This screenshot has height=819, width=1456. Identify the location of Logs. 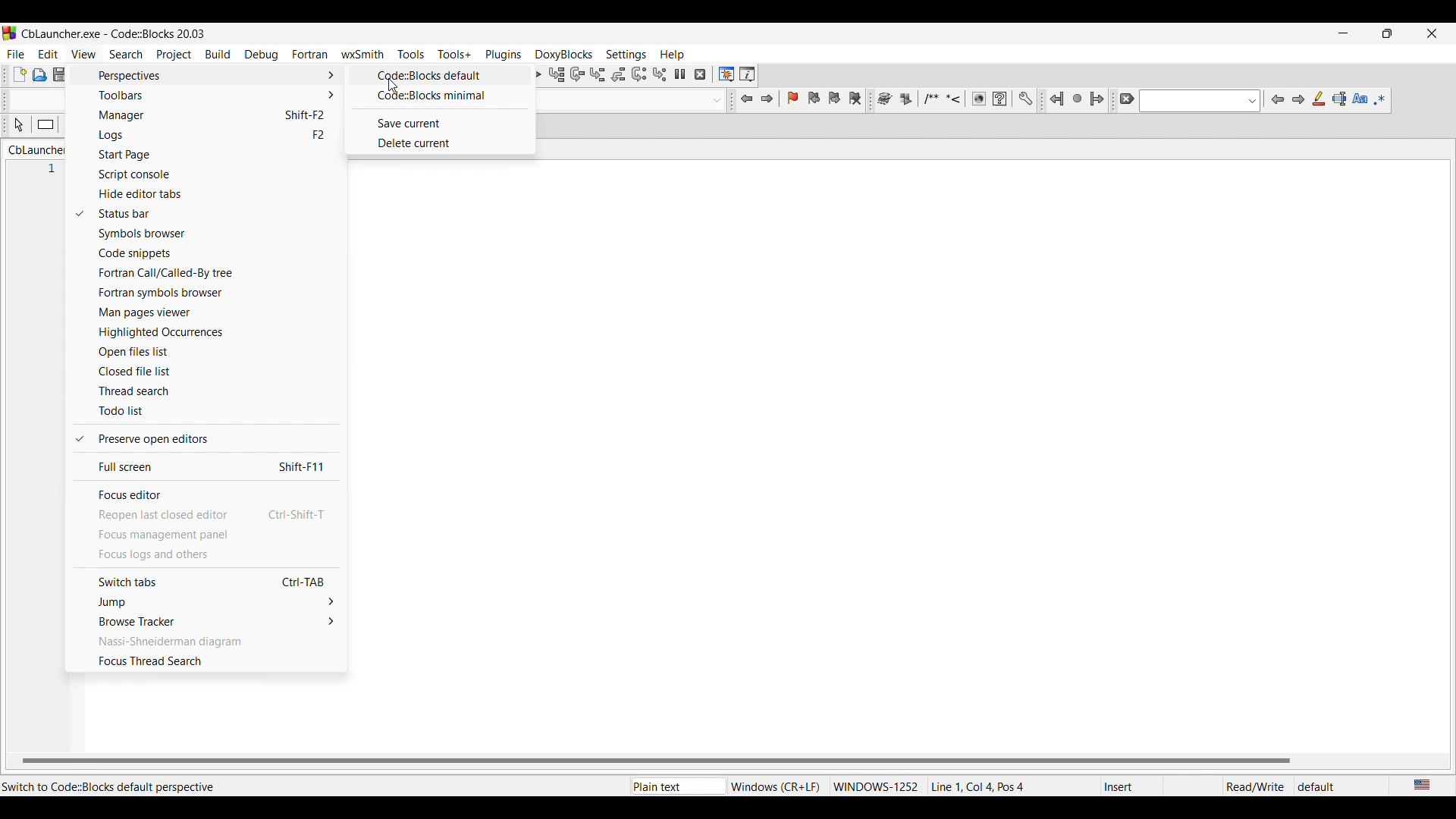
(216, 136).